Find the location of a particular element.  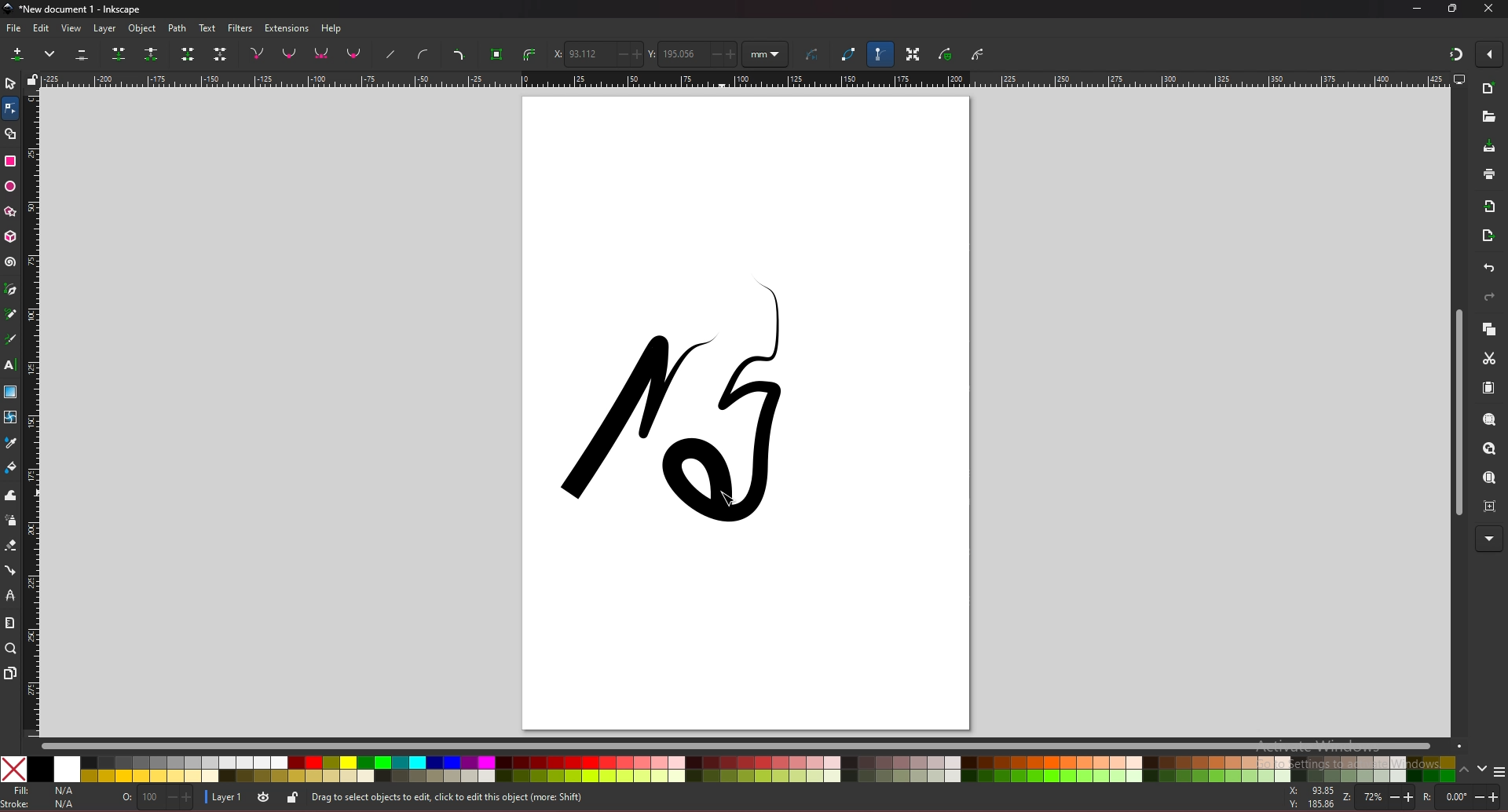

file is located at coordinates (13, 28).